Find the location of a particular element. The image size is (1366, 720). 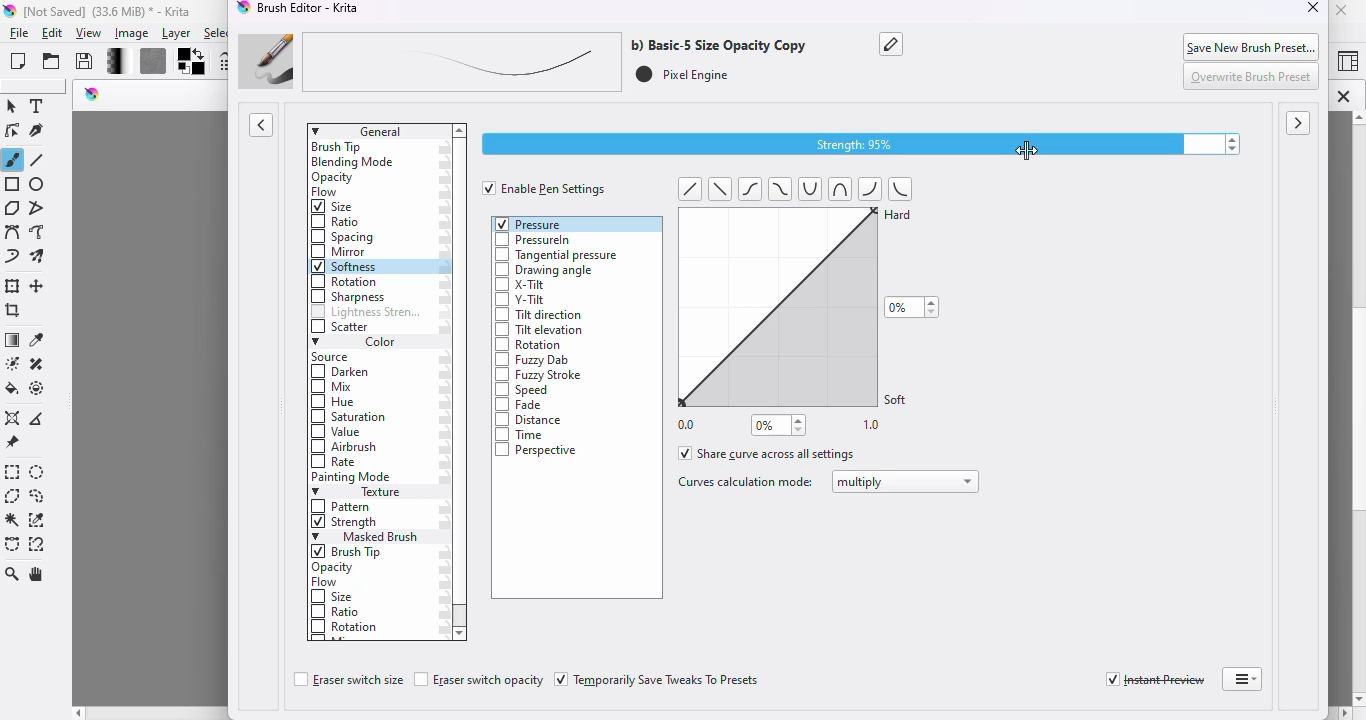

brush editor - Krita is located at coordinates (311, 8).